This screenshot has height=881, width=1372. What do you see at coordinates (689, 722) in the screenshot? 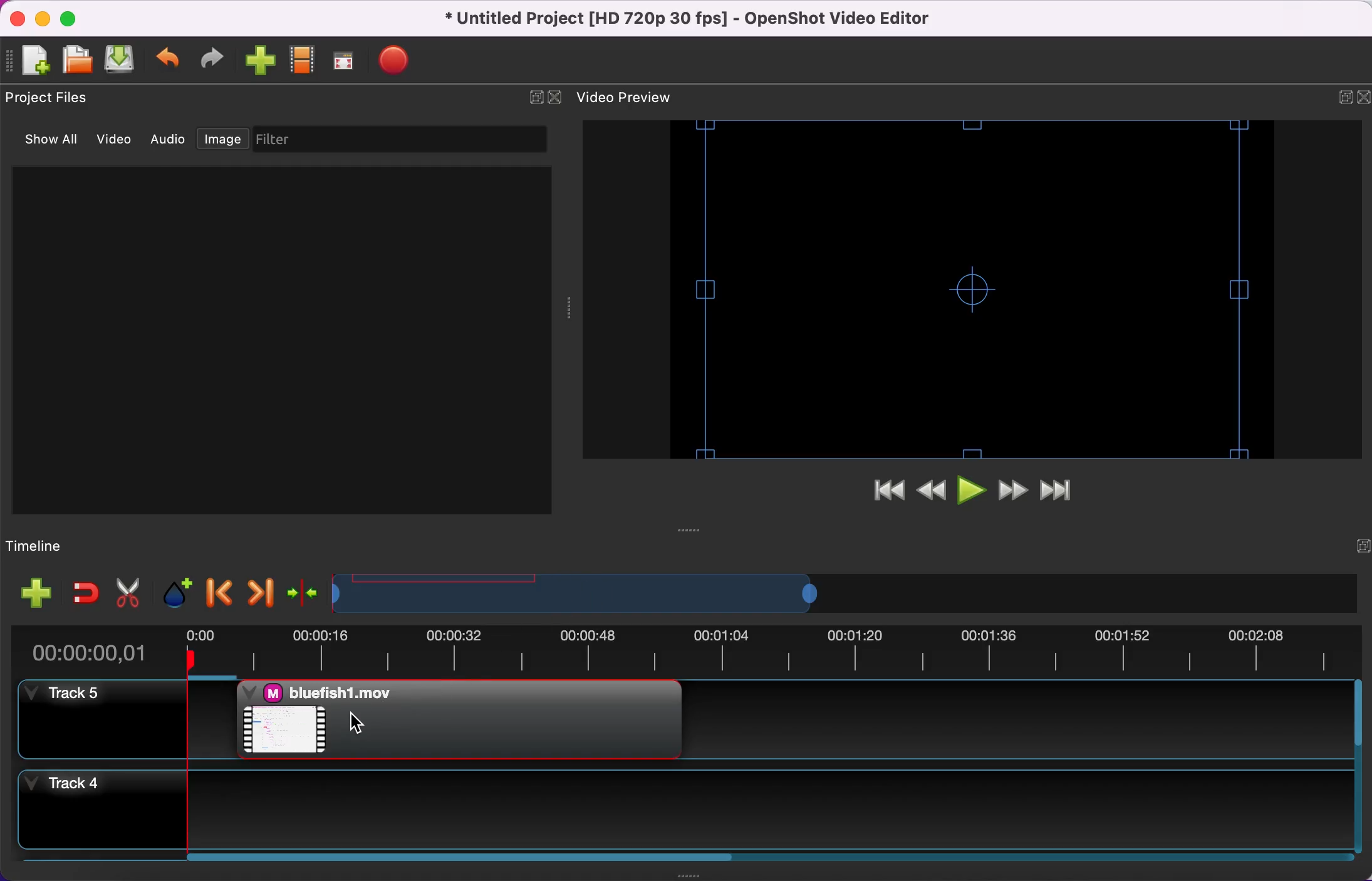
I see `track 5` at bounding box center [689, 722].